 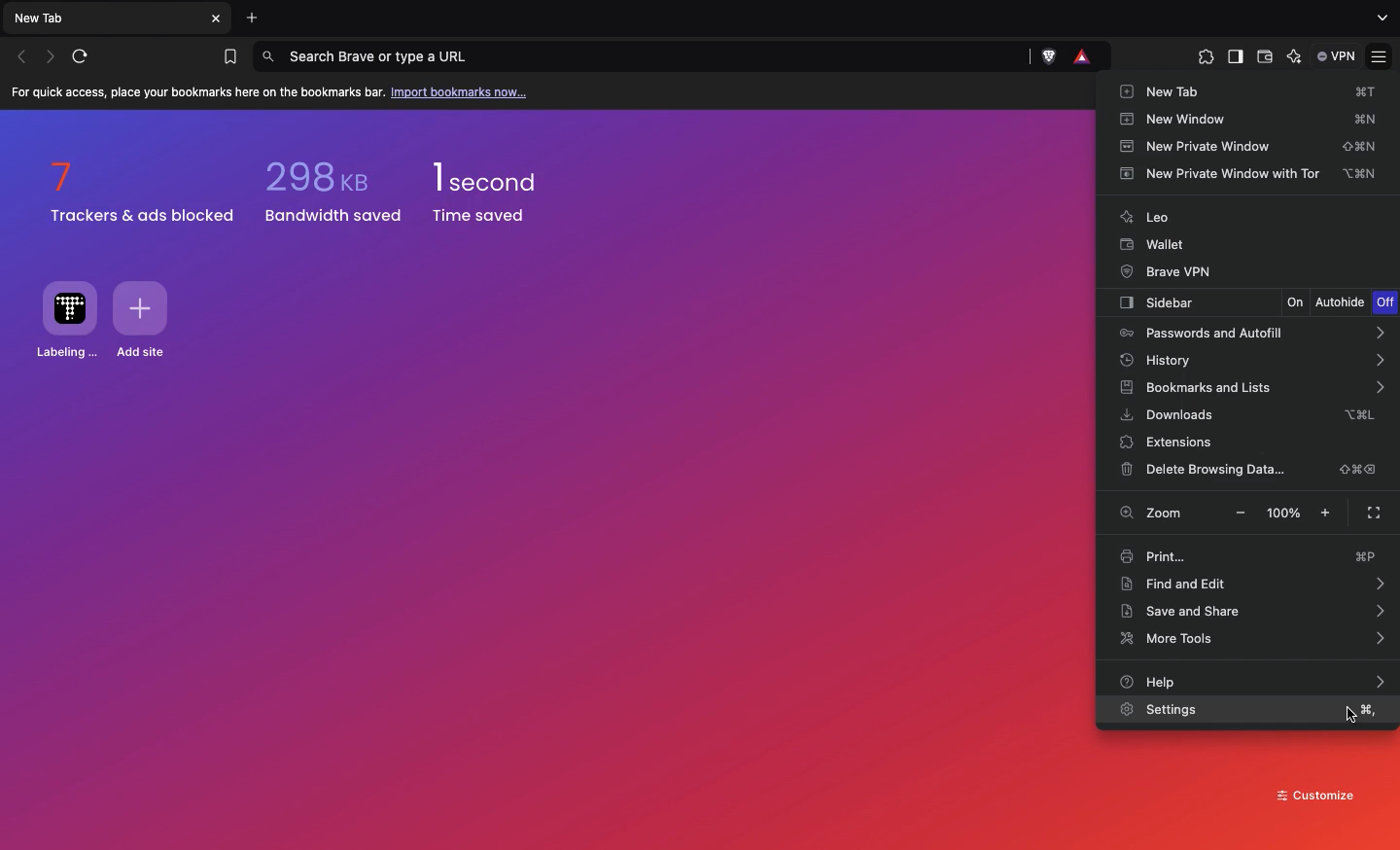 I want to click on VPN, so click(x=1338, y=55).